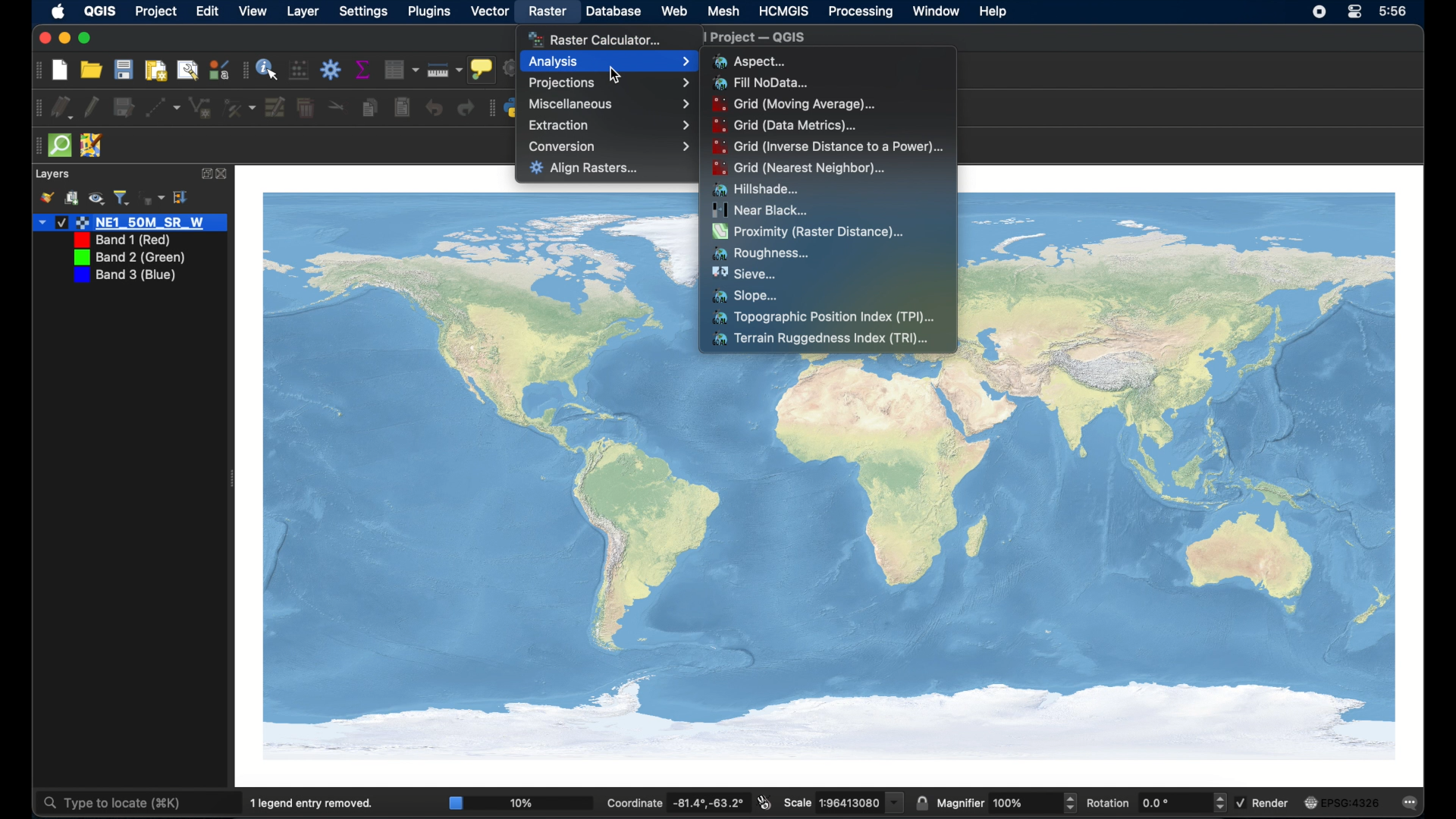  Describe the element at coordinates (486, 12) in the screenshot. I see `vector` at that location.